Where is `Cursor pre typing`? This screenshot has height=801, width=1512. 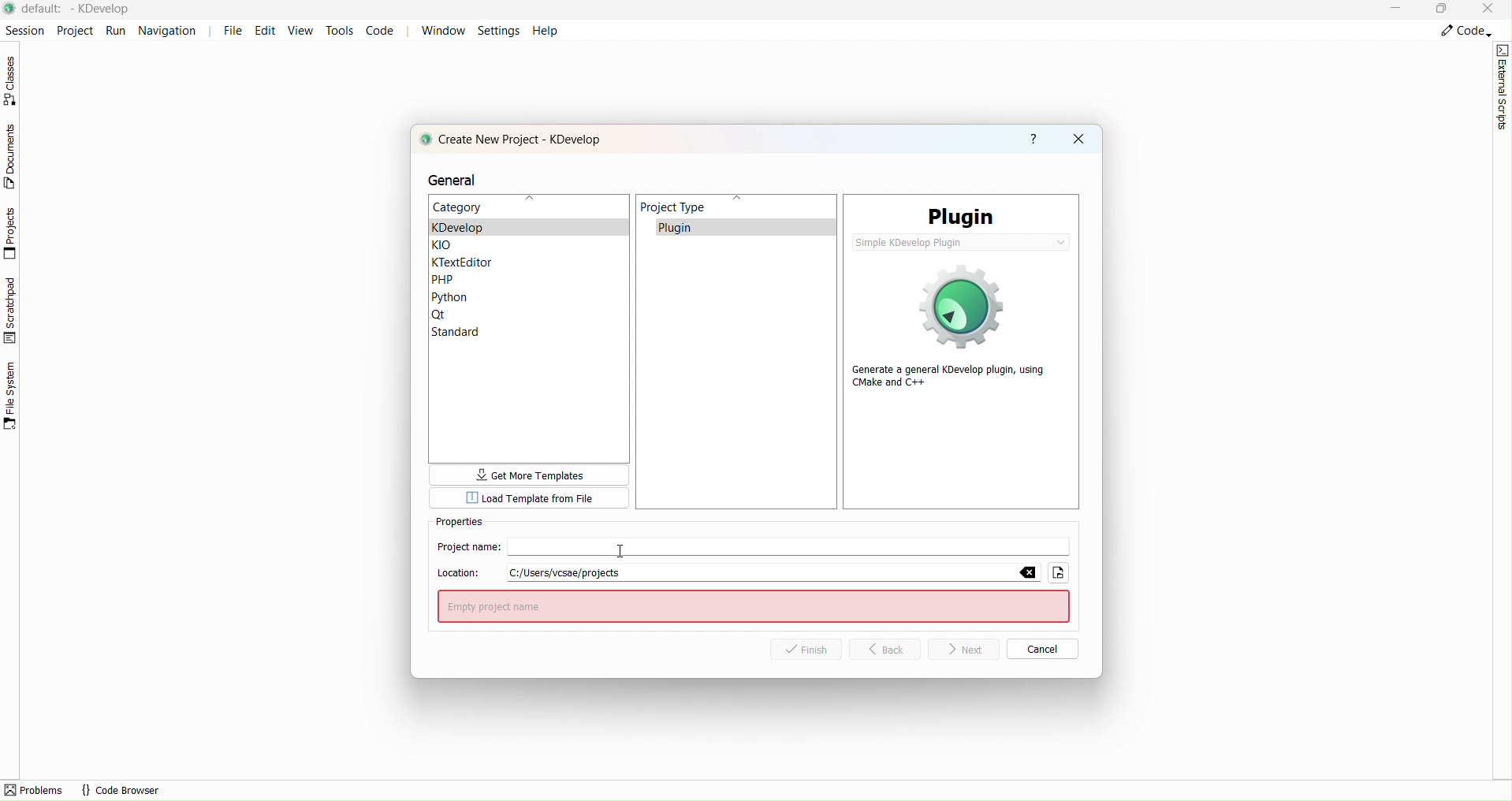 Cursor pre typing is located at coordinates (621, 552).